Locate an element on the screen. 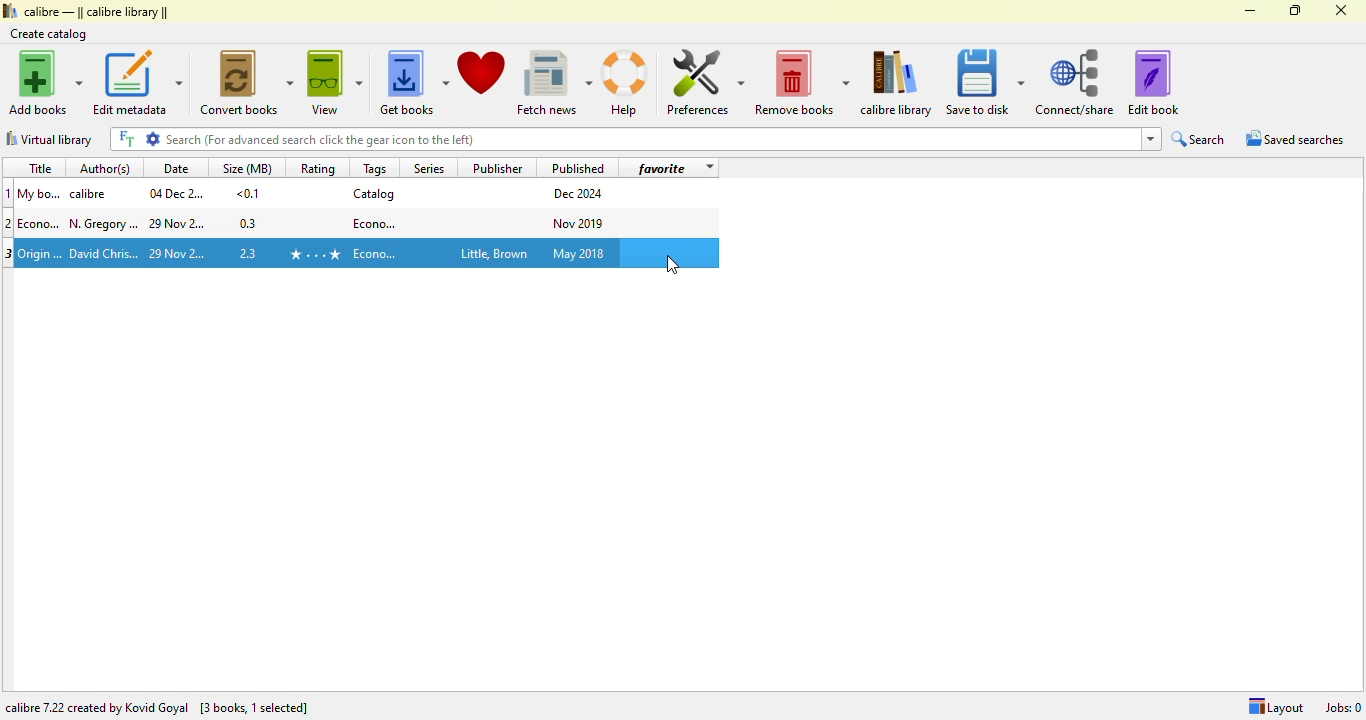 This screenshot has width=1366, height=720. catalog is located at coordinates (374, 193).